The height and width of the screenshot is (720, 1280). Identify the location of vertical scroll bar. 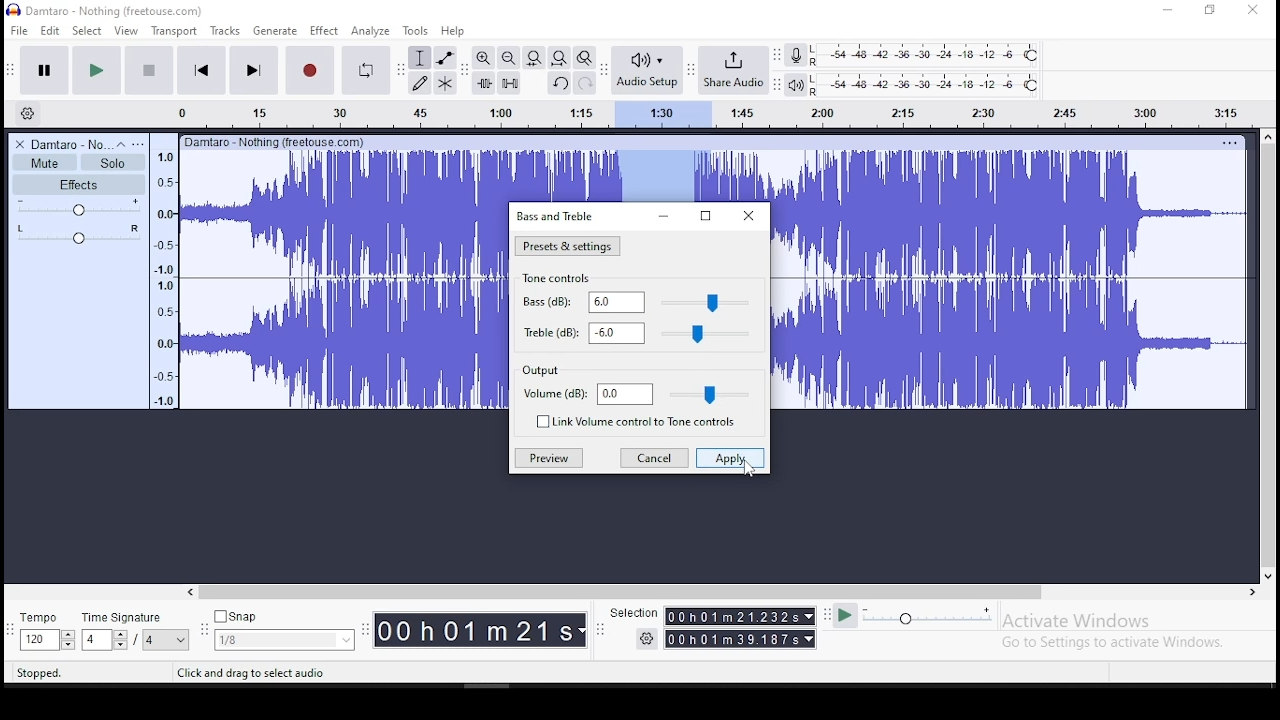
(1271, 353).